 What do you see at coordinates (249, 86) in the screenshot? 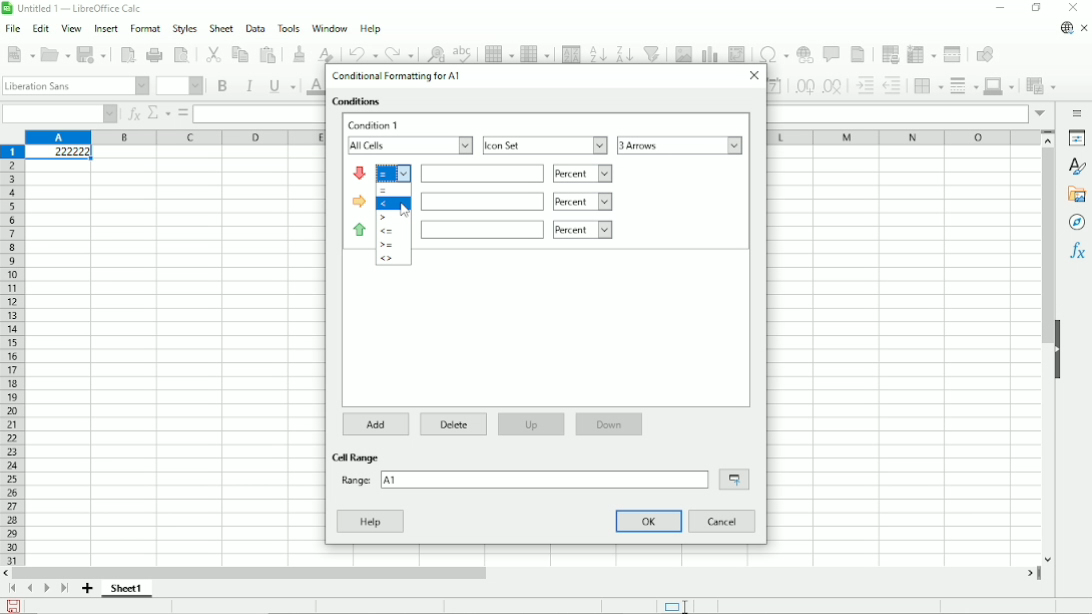
I see `Italic` at bounding box center [249, 86].